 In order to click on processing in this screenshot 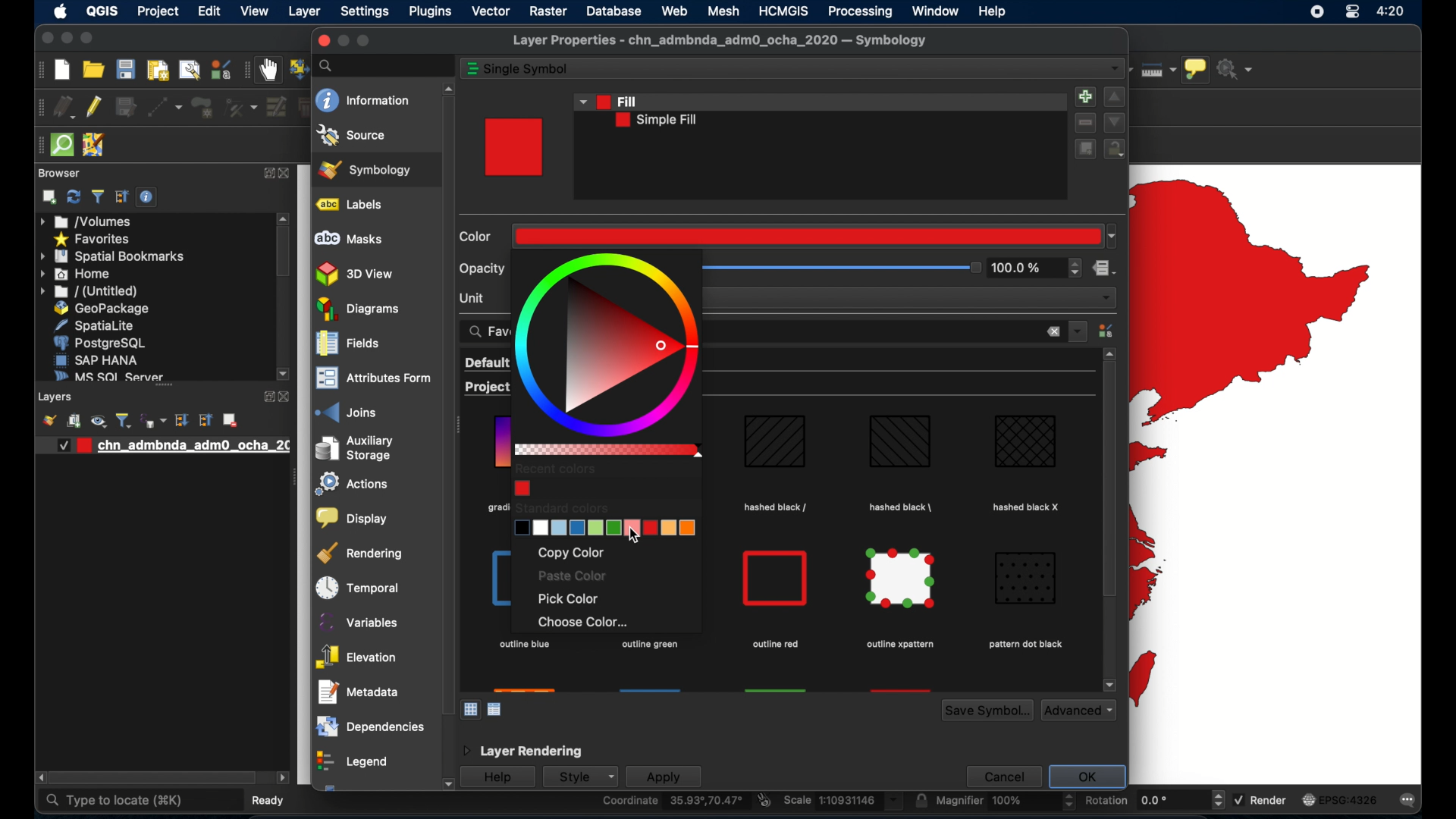, I will do `click(860, 11)`.